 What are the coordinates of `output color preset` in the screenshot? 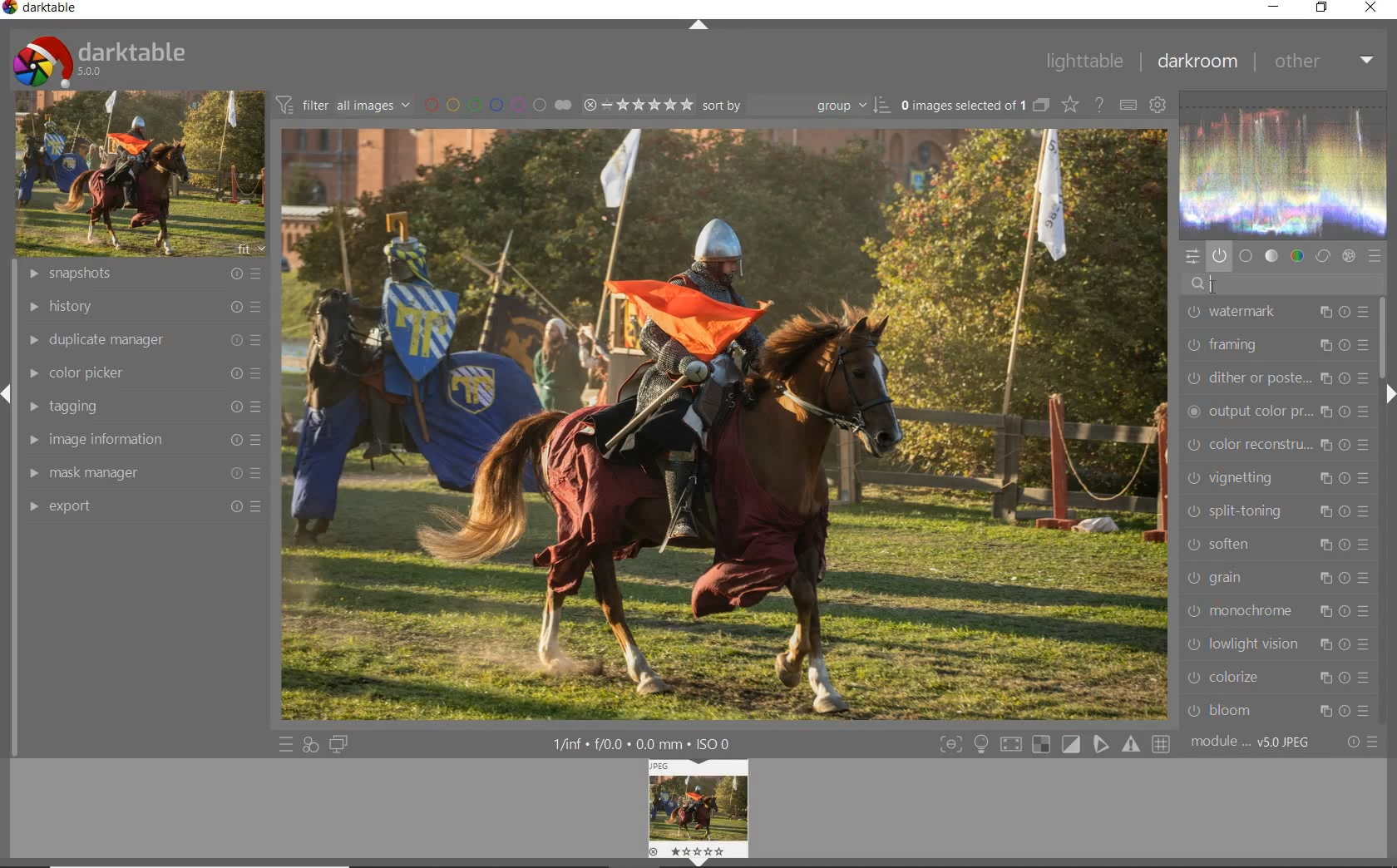 It's located at (1273, 411).